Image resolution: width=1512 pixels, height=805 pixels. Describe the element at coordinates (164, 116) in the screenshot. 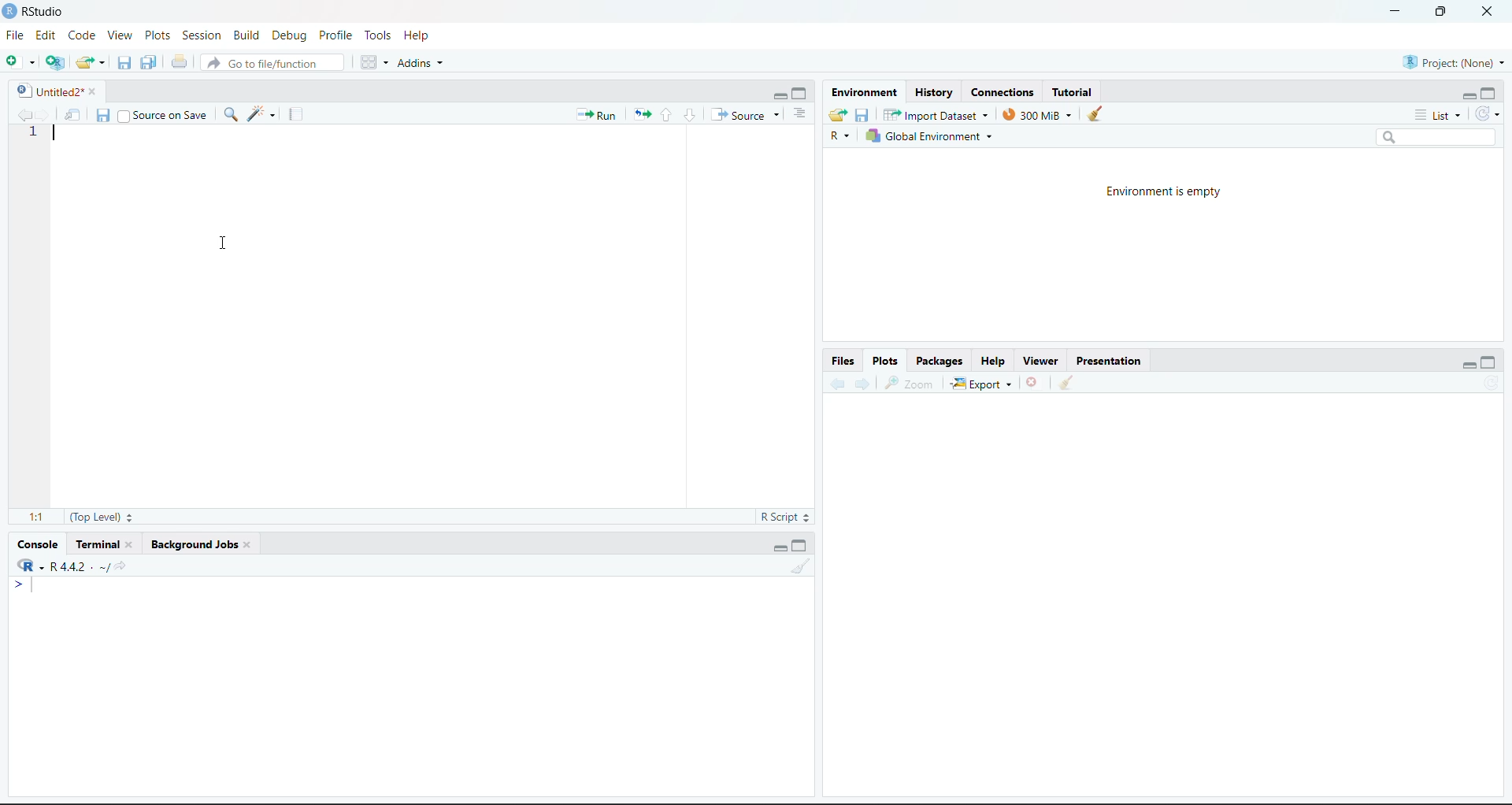

I see `Source on Save` at that location.